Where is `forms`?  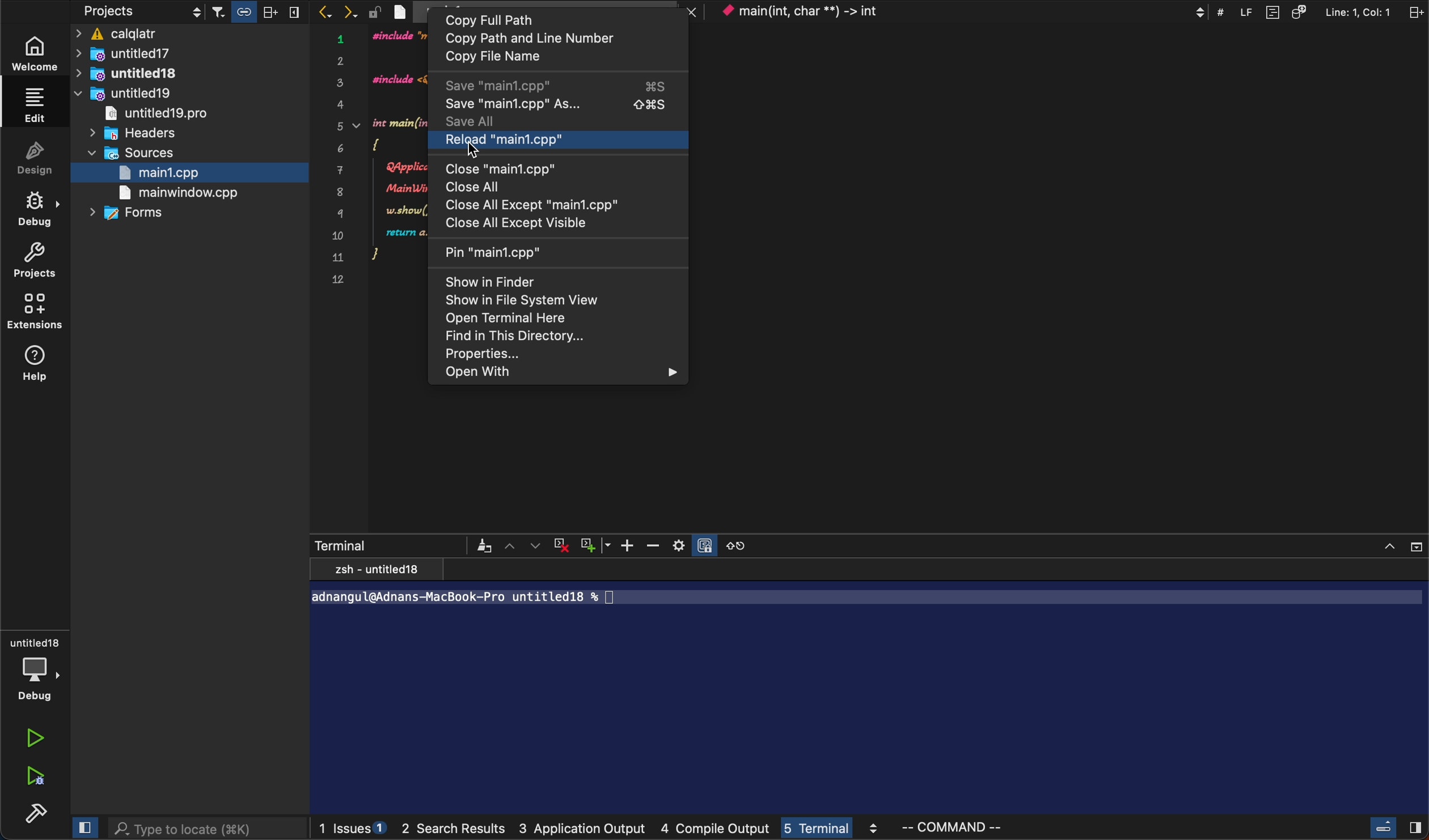 forms is located at coordinates (132, 216).